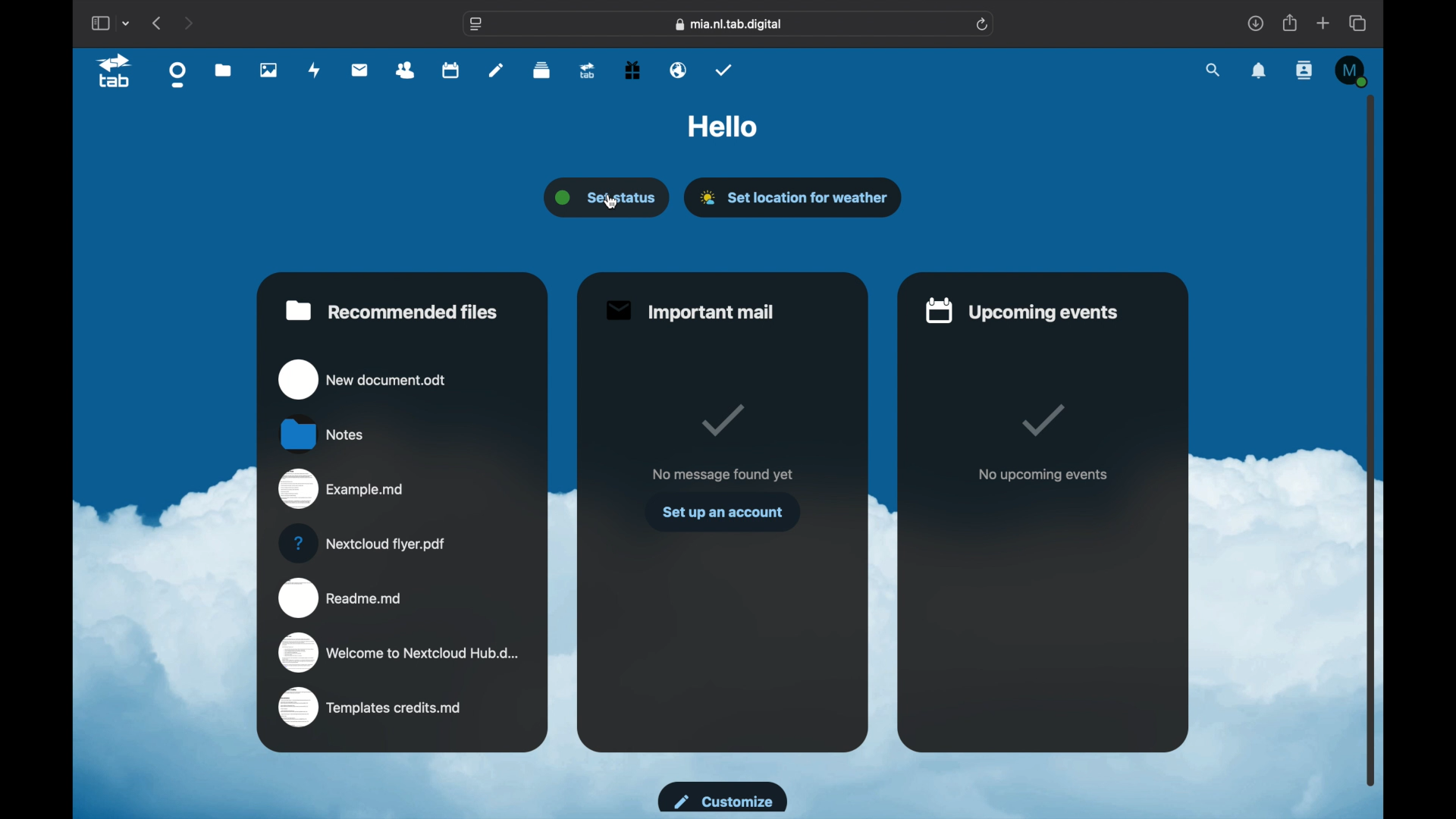  I want to click on files, so click(224, 70).